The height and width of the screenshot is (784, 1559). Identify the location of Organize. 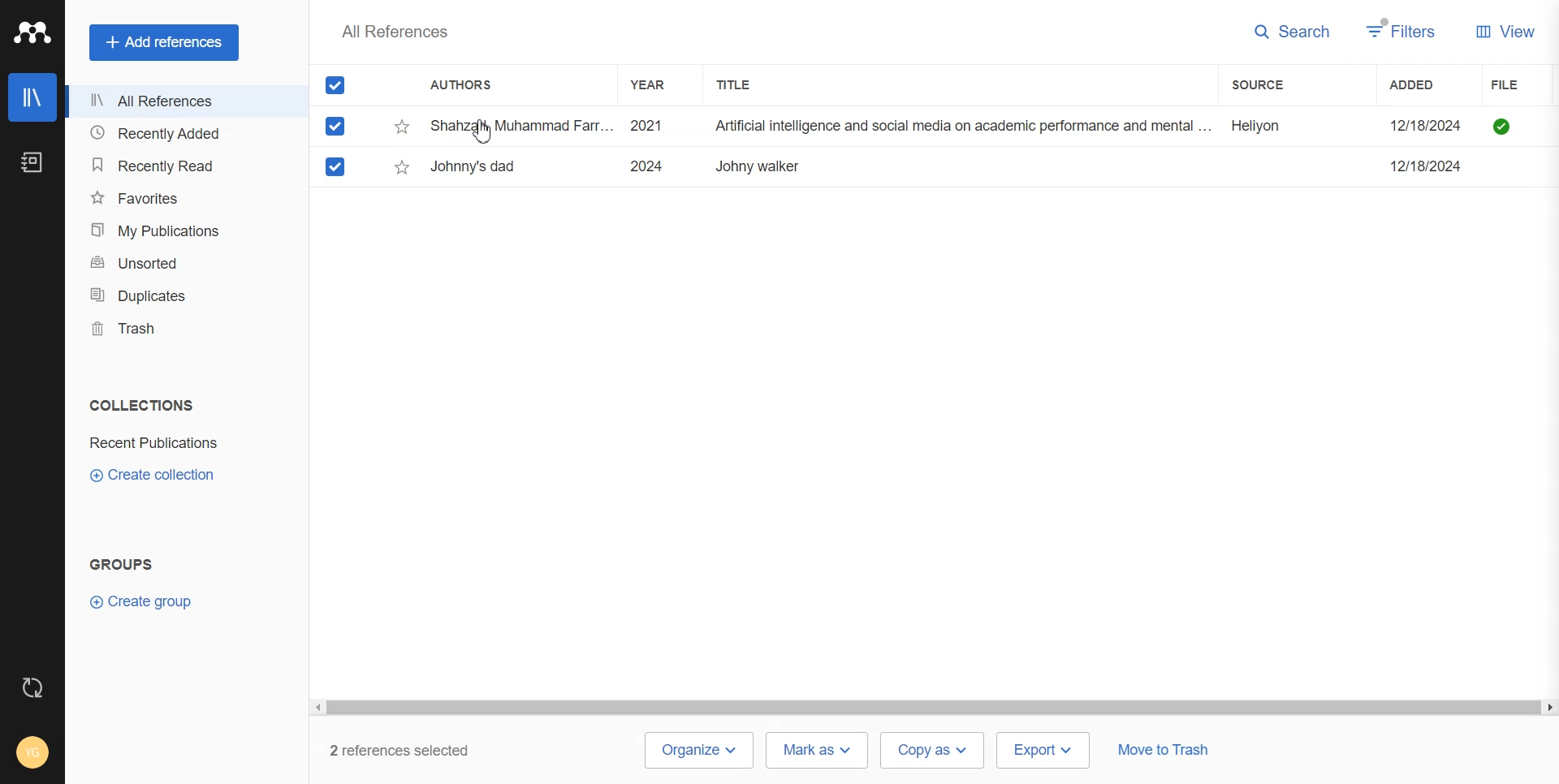
(697, 751).